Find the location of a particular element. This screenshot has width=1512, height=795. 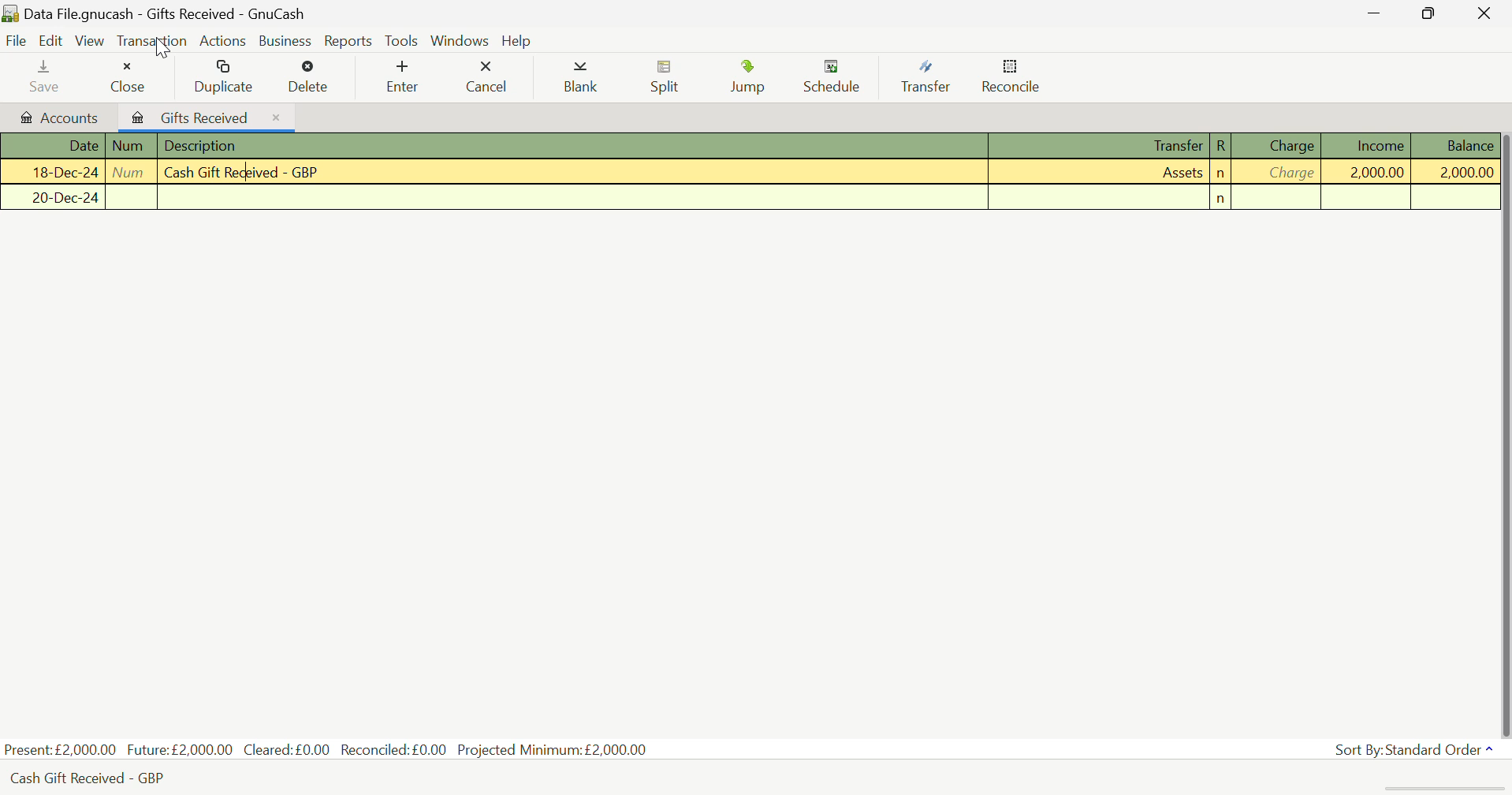

Sort By: Standard Order is located at coordinates (1417, 750).